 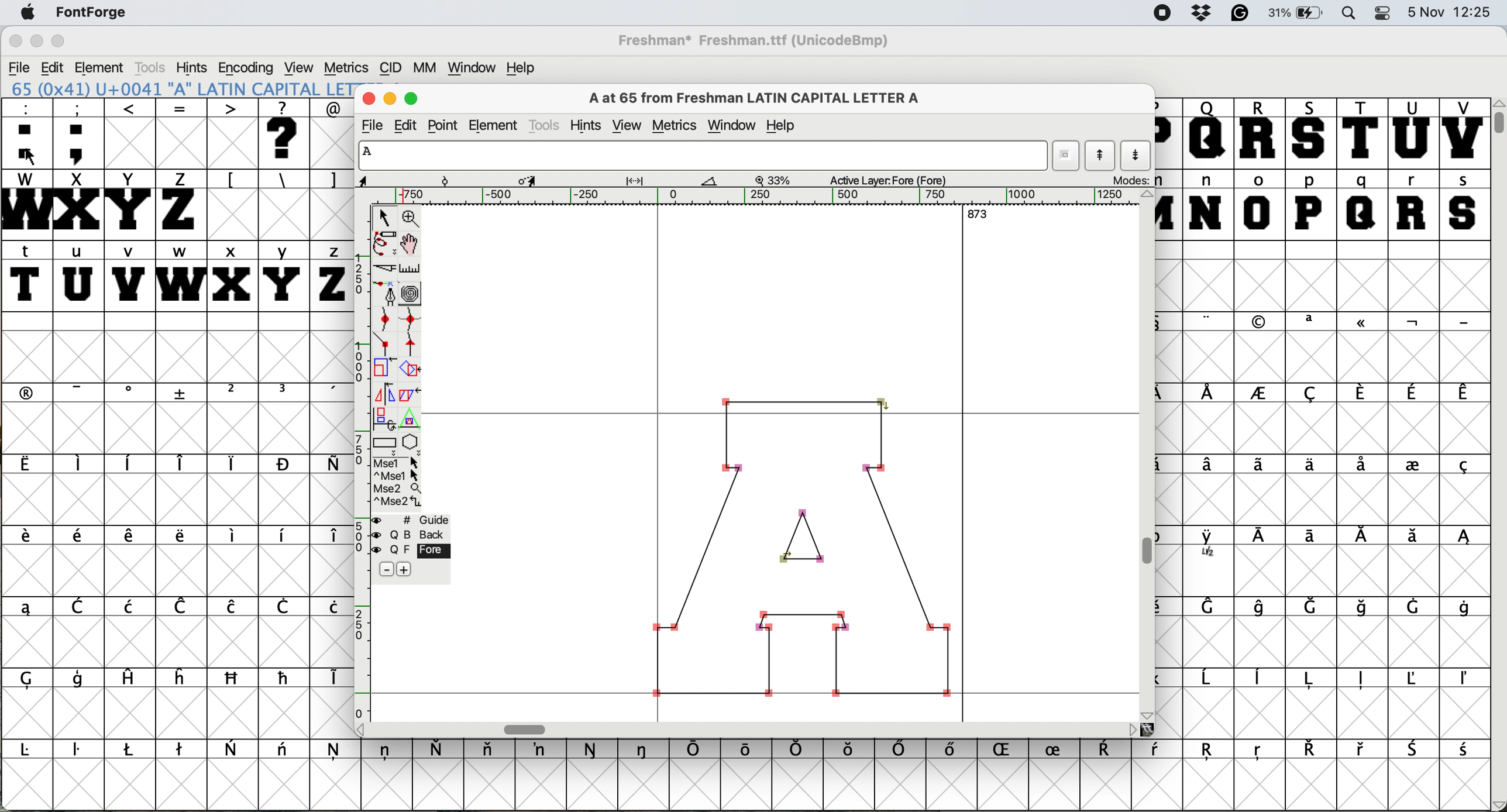 What do you see at coordinates (1209, 133) in the screenshot?
I see `Q` at bounding box center [1209, 133].